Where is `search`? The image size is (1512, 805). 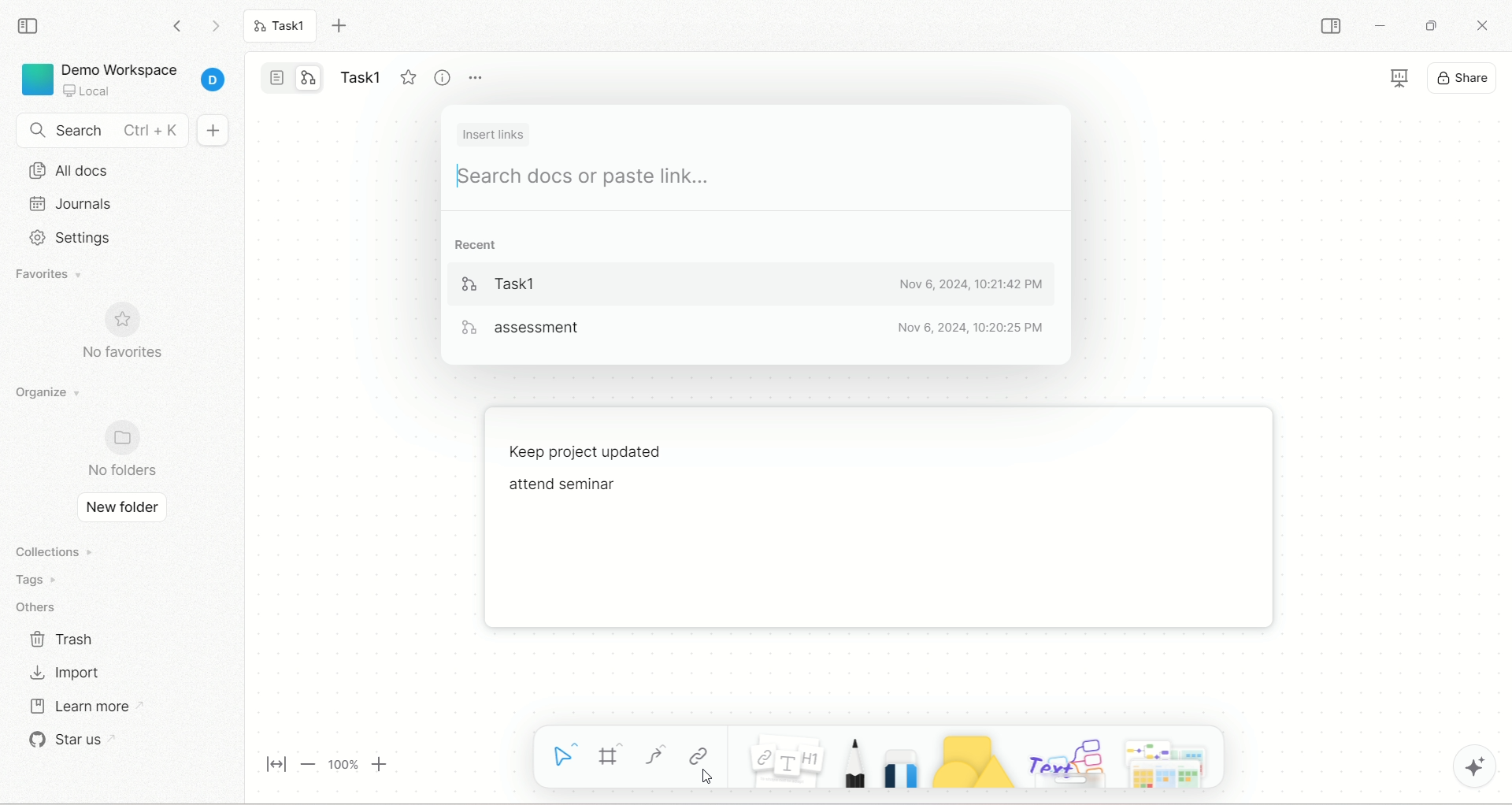 search is located at coordinates (102, 131).